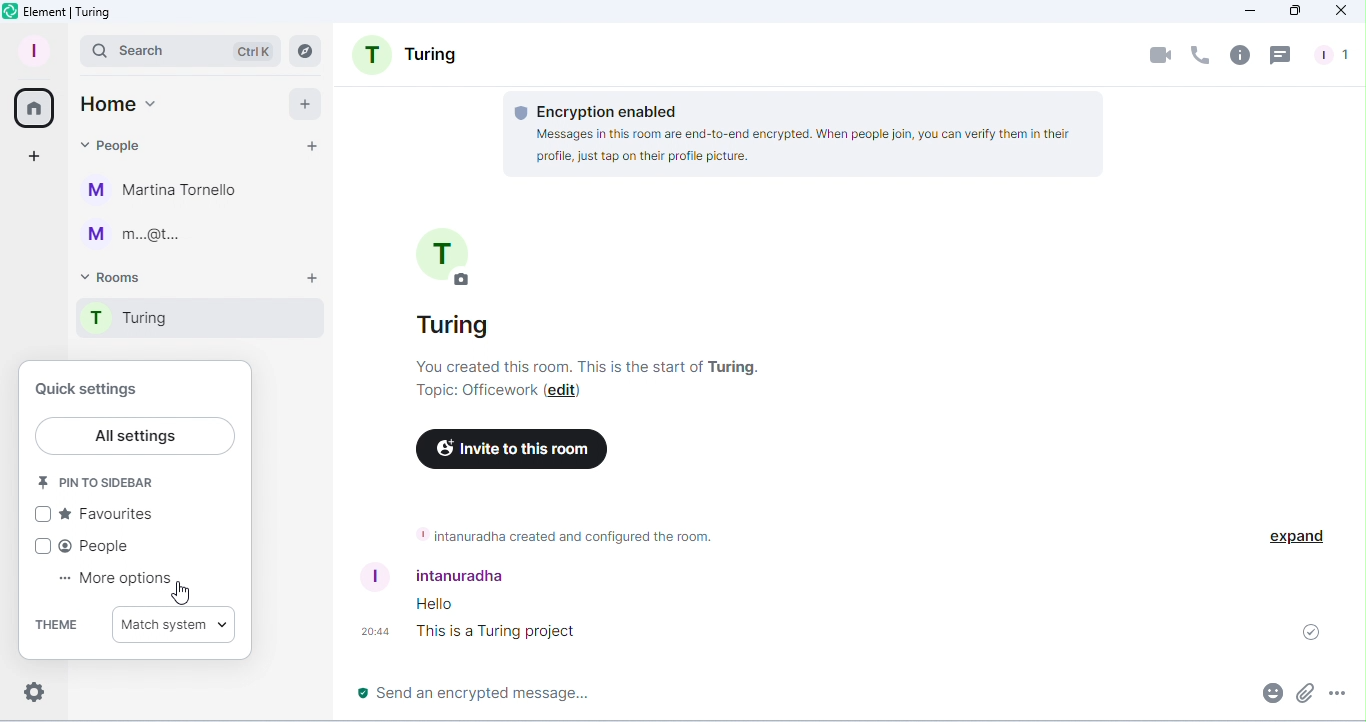  What do you see at coordinates (310, 144) in the screenshot?
I see `Start chat` at bounding box center [310, 144].